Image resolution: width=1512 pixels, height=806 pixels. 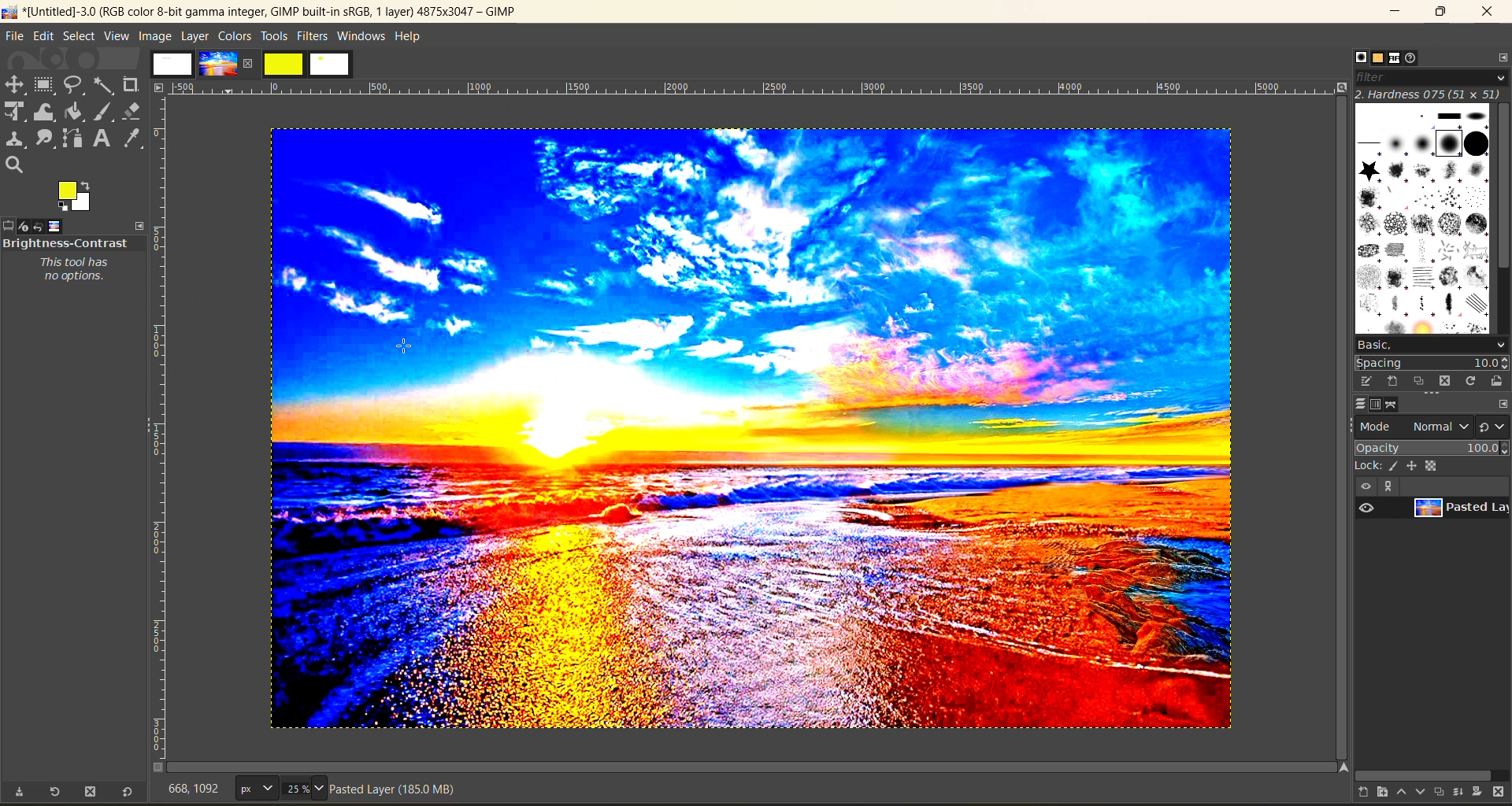 What do you see at coordinates (283, 788) in the screenshot?
I see `size` at bounding box center [283, 788].